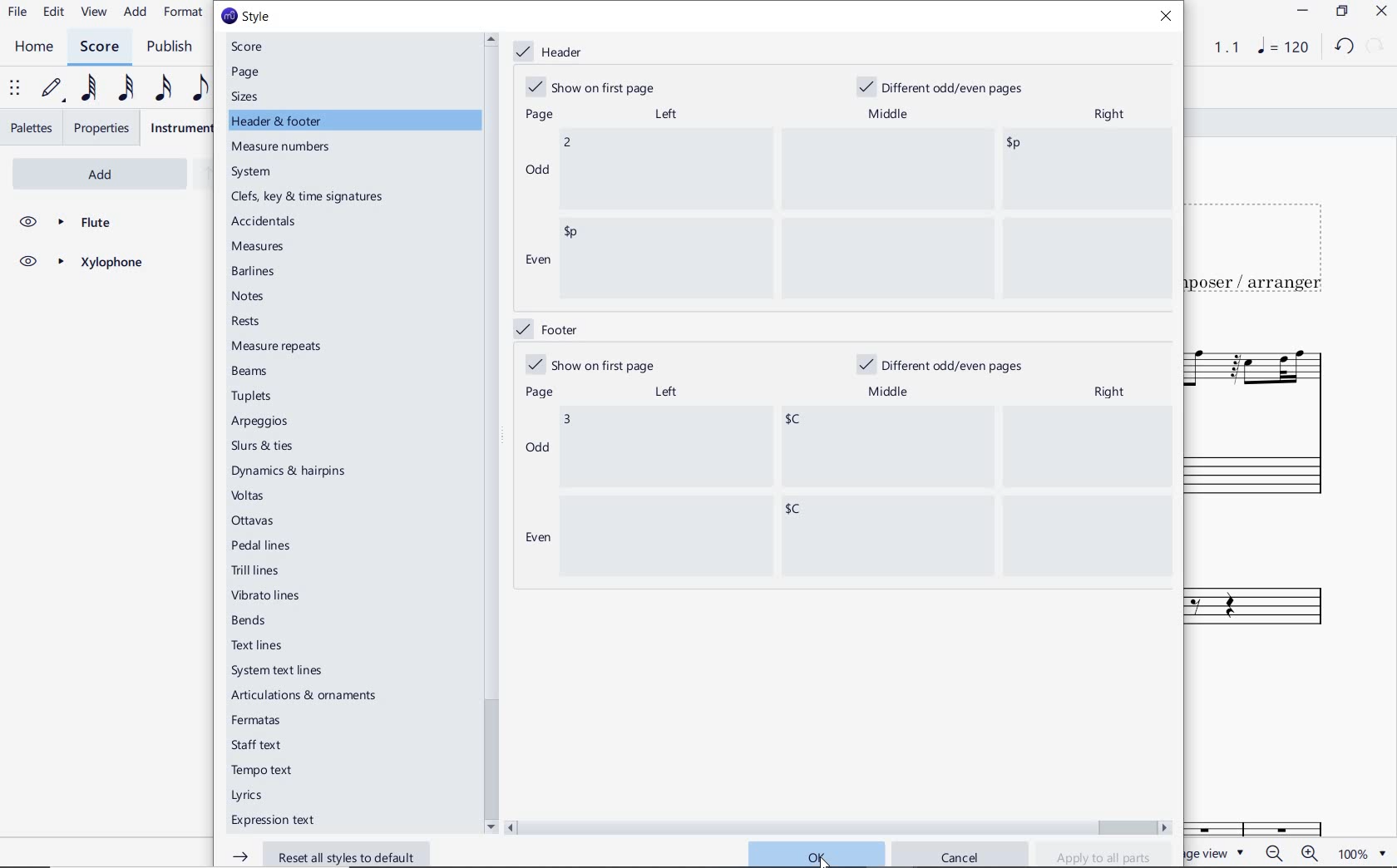 This screenshot has height=868, width=1397. I want to click on text lines, so click(258, 645).